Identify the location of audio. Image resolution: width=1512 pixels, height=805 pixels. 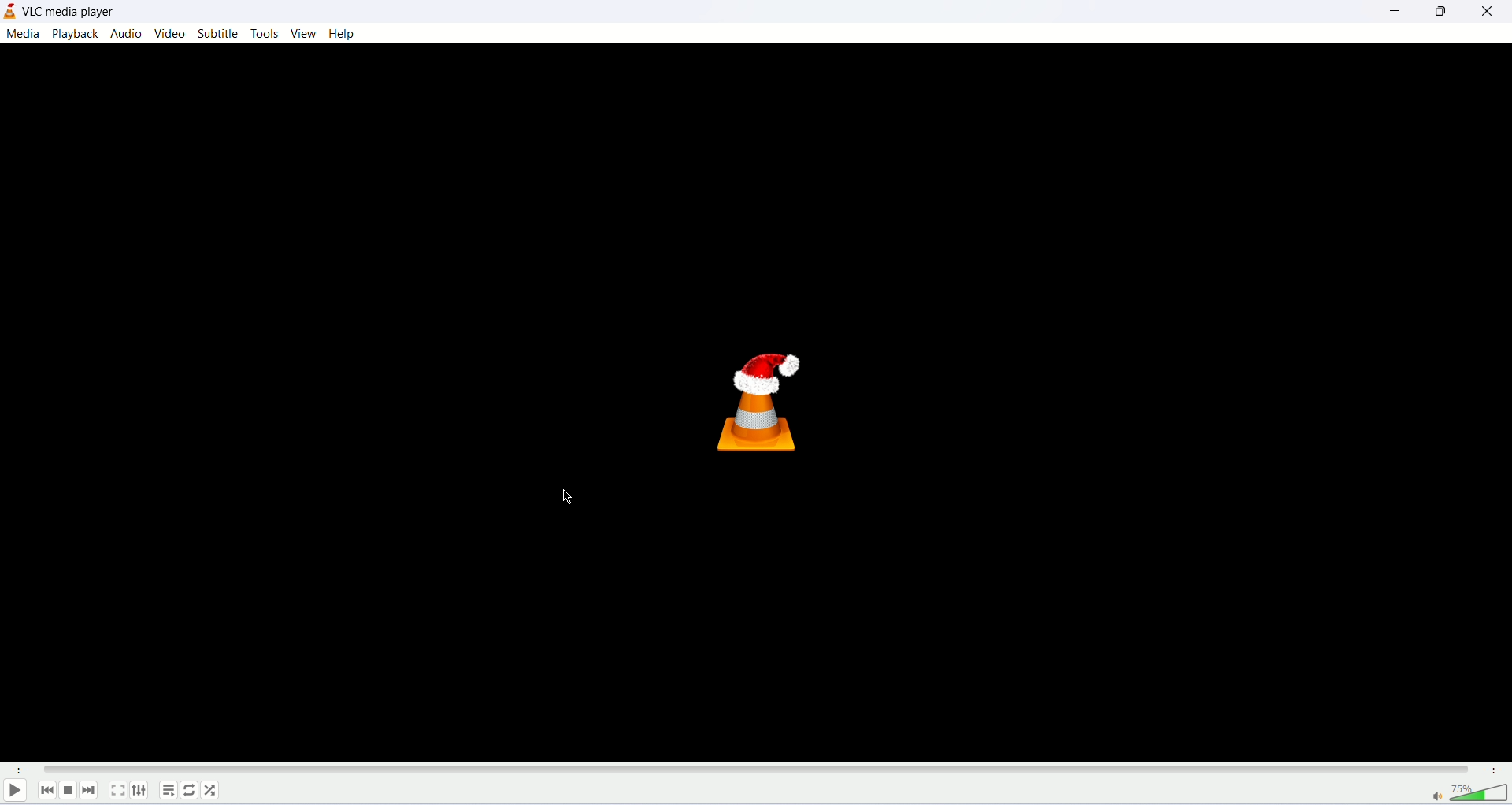
(125, 33).